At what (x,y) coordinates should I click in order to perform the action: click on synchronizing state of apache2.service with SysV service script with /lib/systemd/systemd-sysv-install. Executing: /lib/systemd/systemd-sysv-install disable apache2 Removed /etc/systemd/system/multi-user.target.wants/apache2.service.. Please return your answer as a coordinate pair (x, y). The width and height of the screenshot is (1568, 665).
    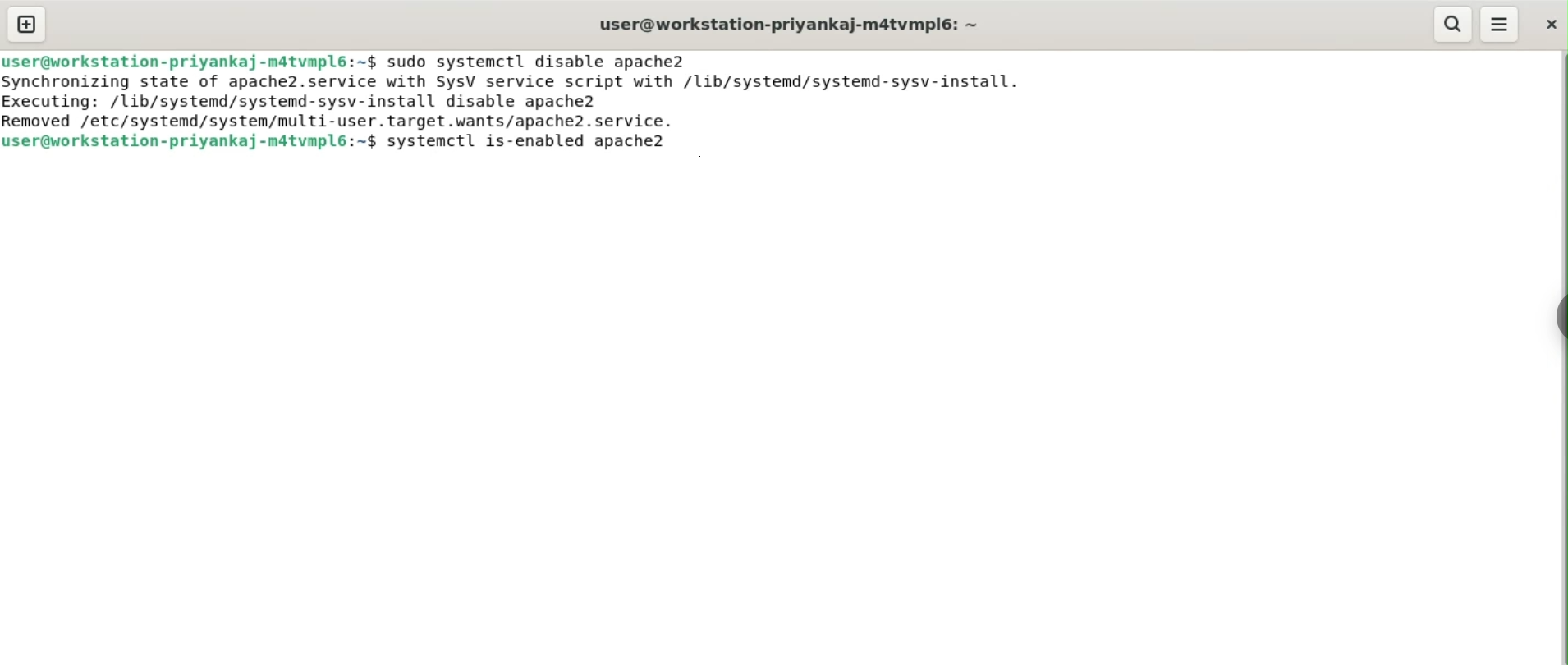
    Looking at the image, I should click on (536, 101).